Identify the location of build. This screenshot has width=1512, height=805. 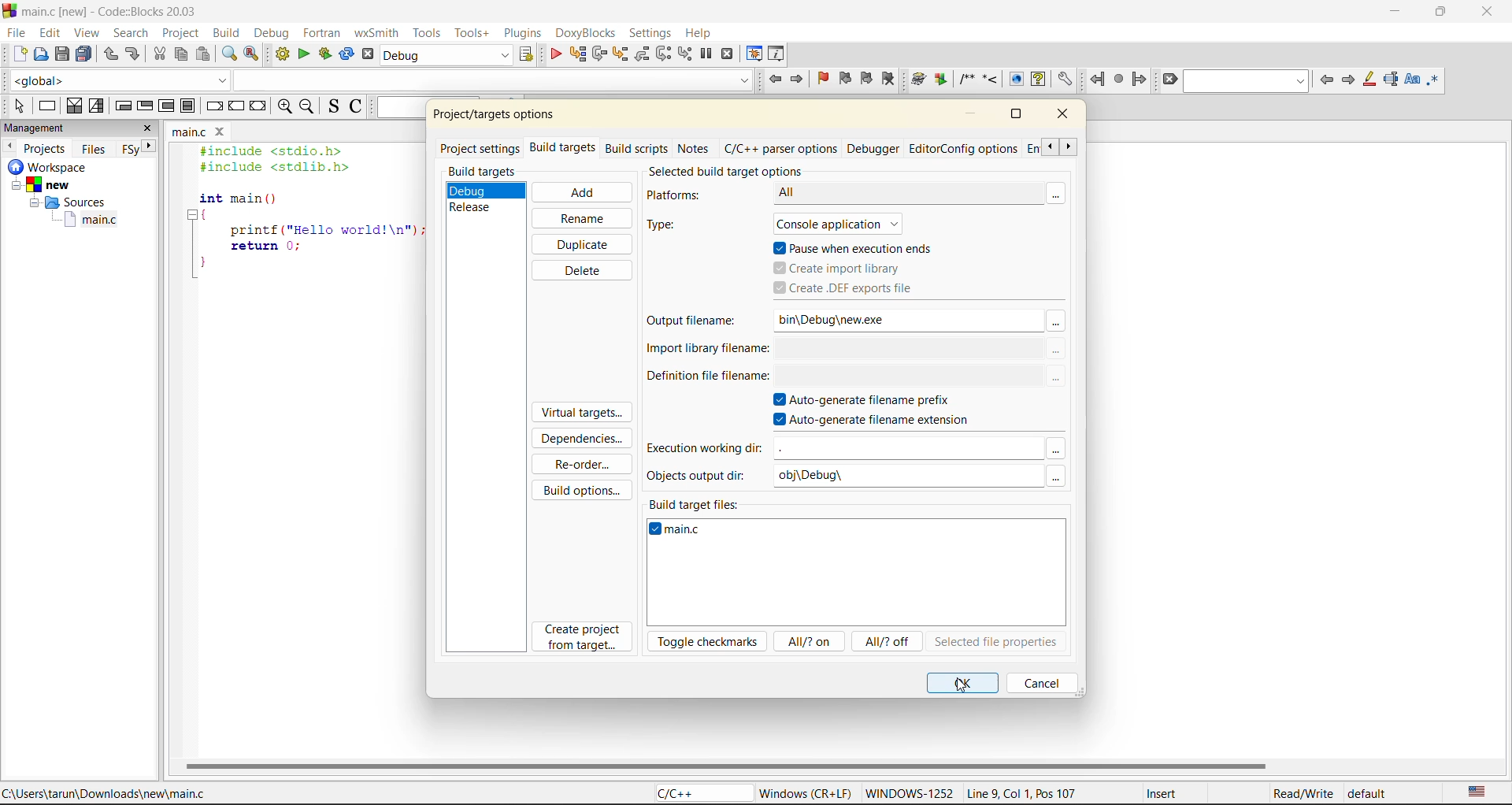
(283, 54).